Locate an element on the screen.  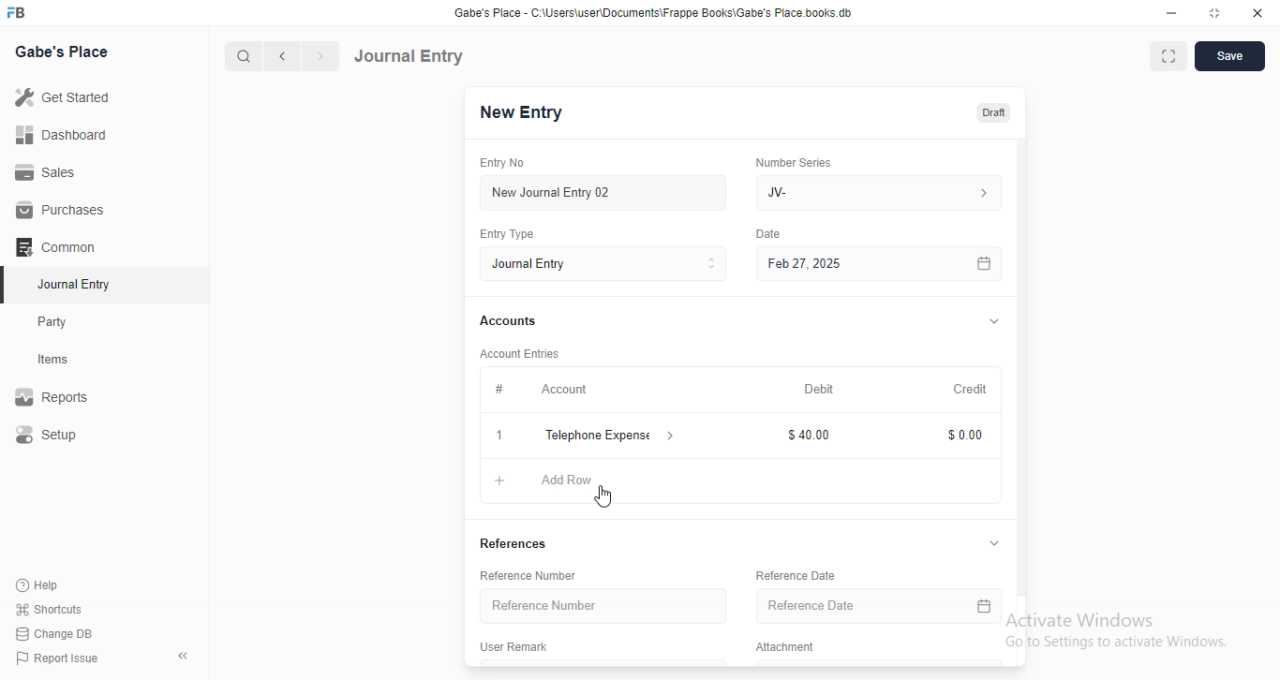
Entry Type is located at coordinates (507, 235).